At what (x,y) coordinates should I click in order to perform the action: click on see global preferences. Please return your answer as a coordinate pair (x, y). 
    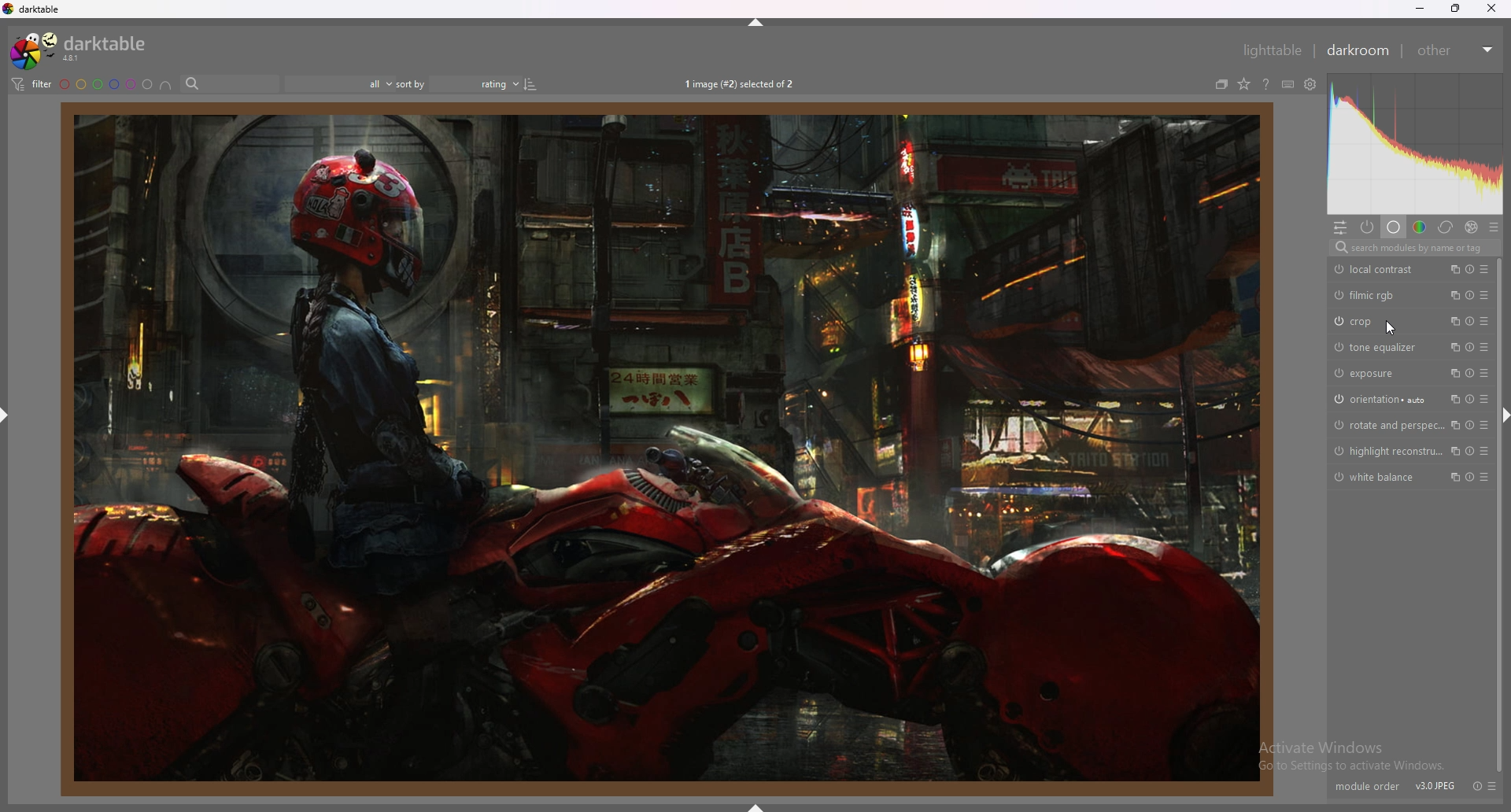
    Looking at the image, I should click on (1312, 84).